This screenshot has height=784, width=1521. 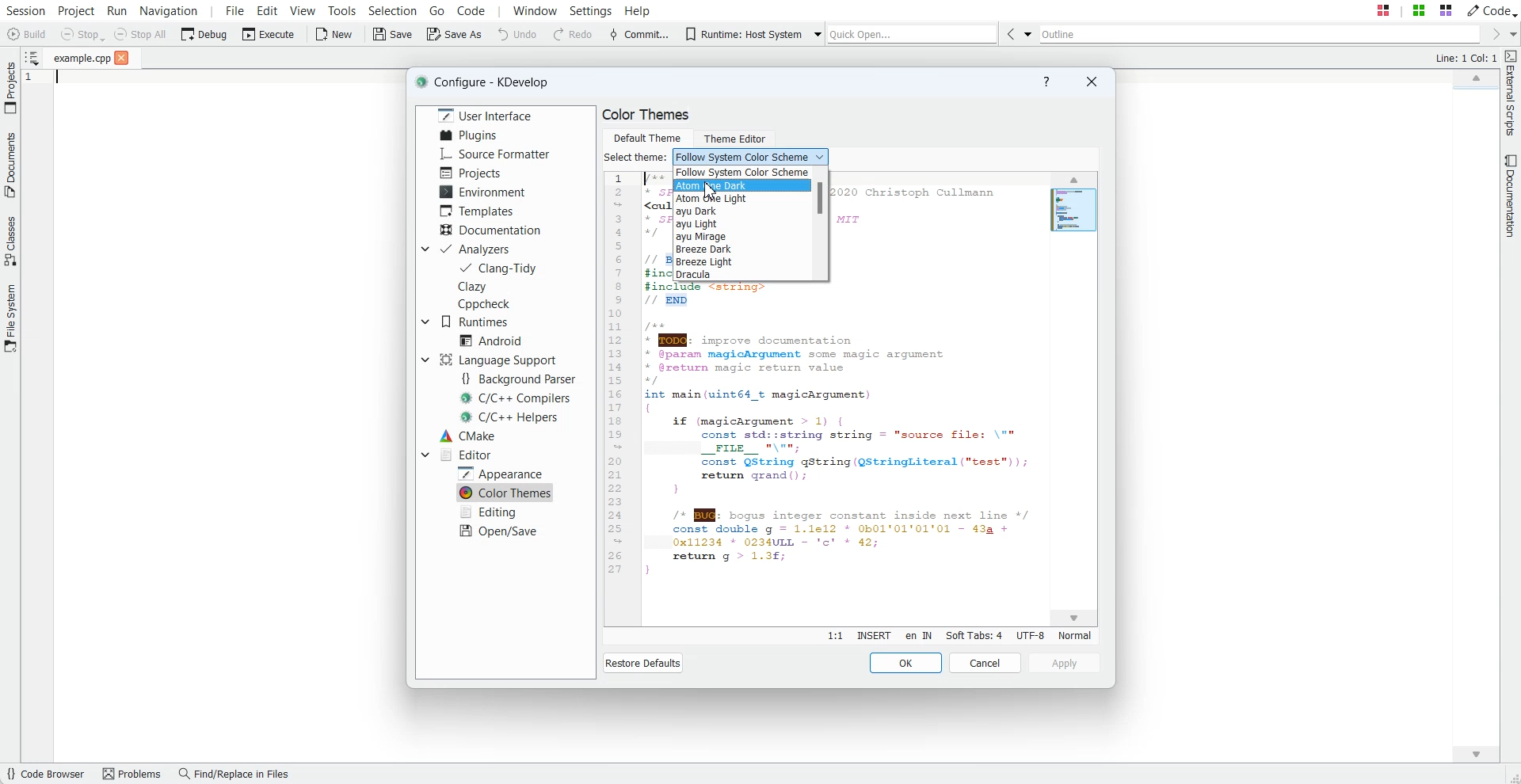 I want to click on Templates, so click(x=480, y=211).